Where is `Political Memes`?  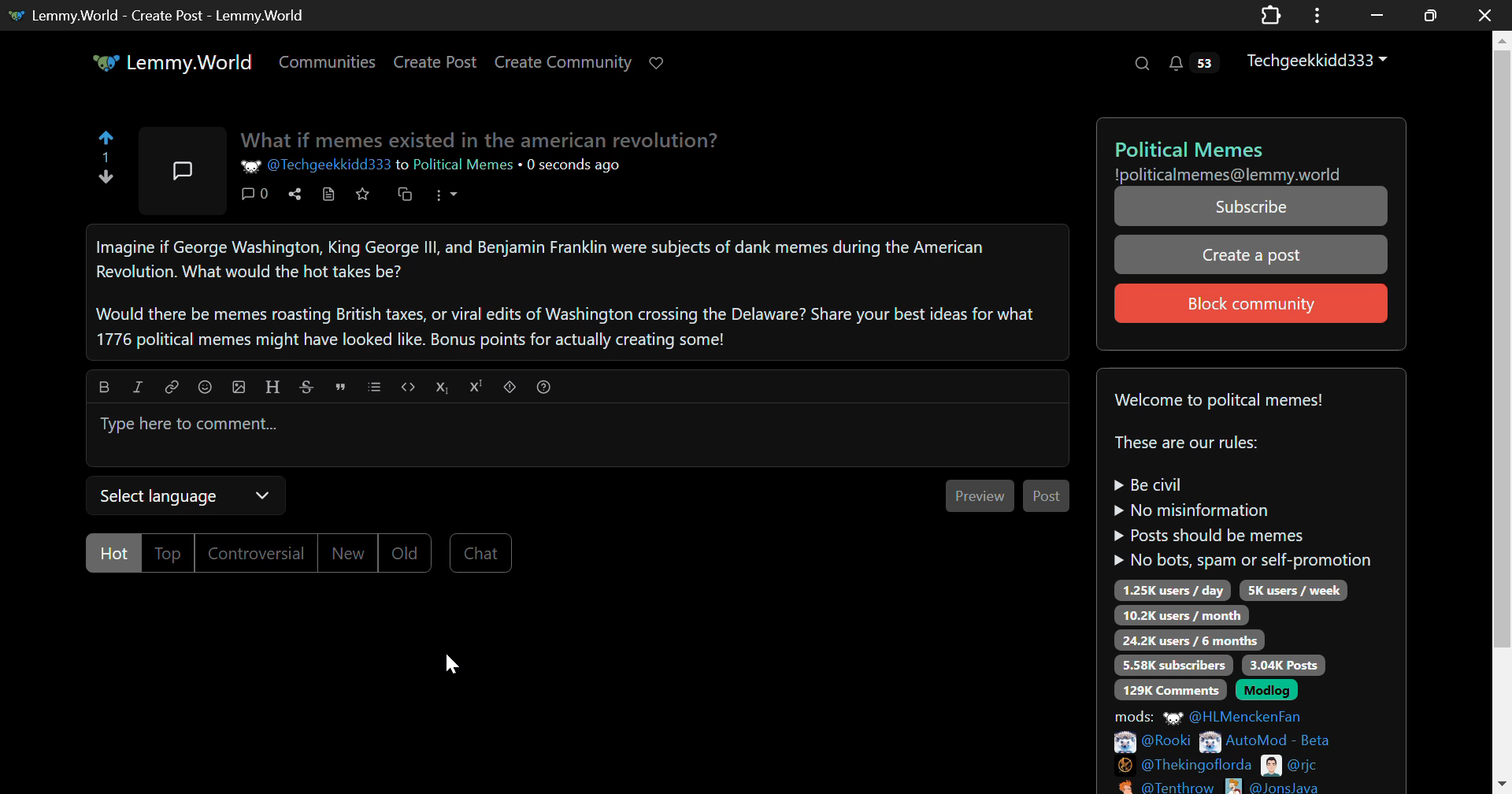 Political Memes is located at coordinates (461, 165).